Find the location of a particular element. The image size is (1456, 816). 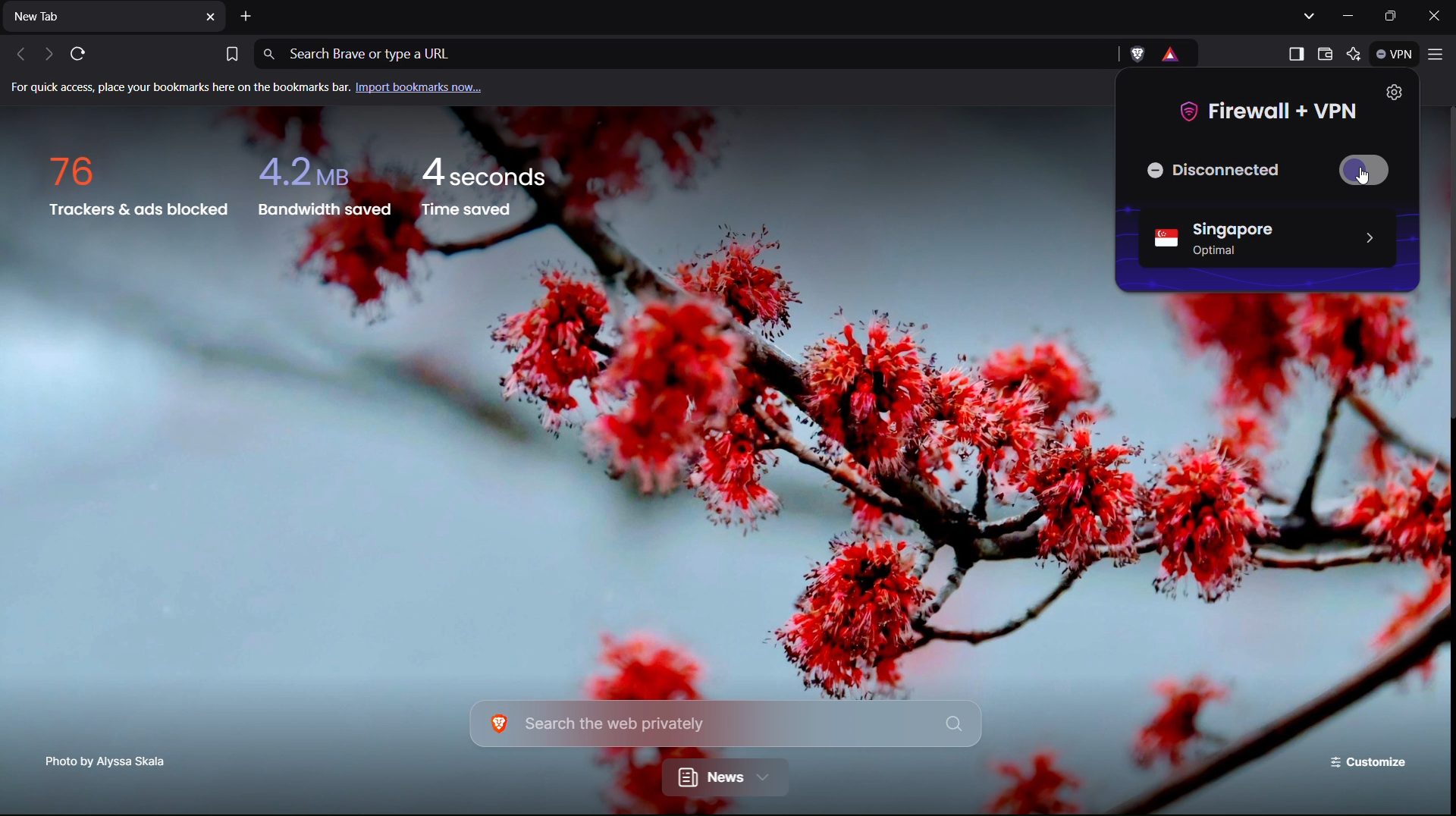

Next is located at coordinates (46, 54).